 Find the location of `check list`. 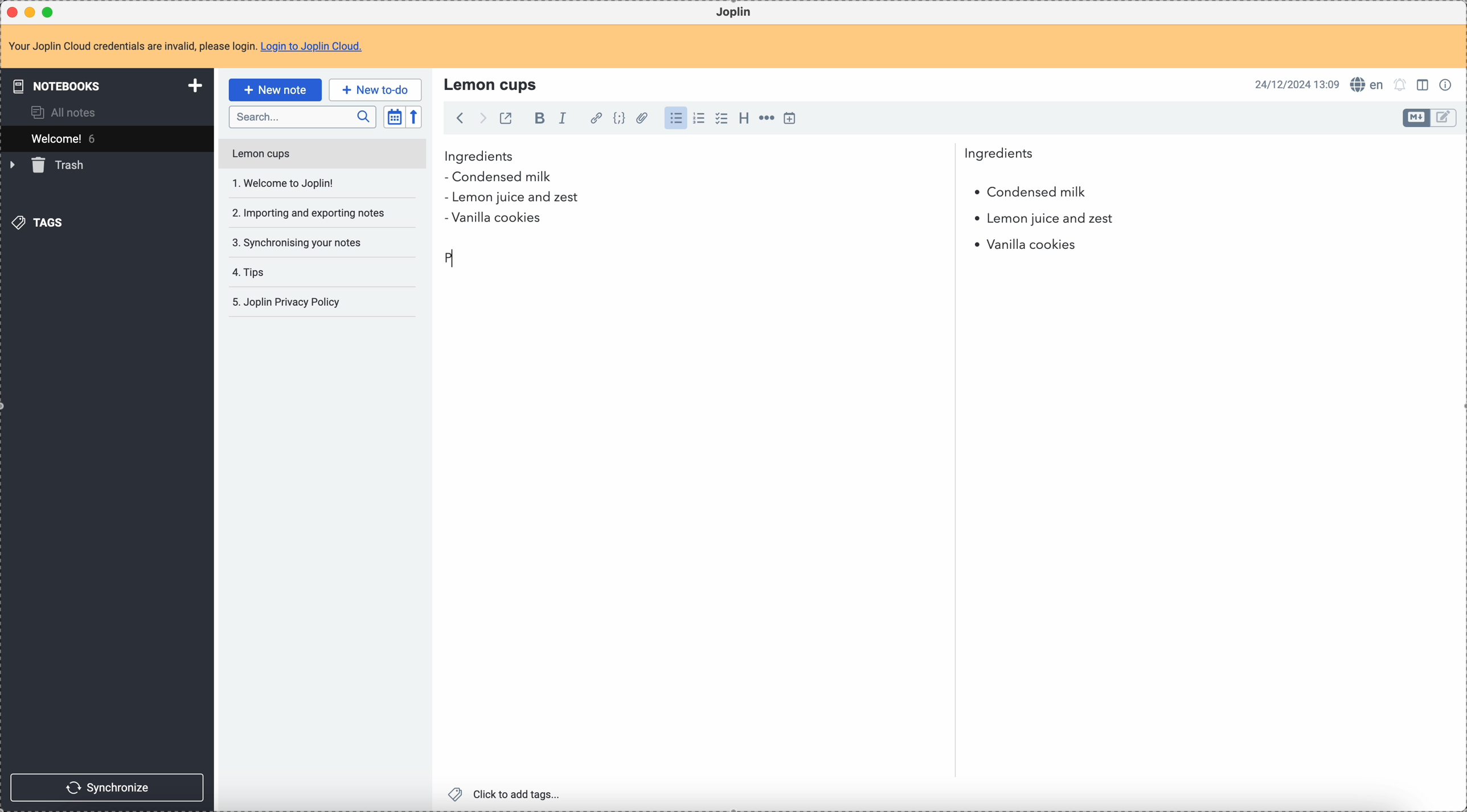

check list is located at coordinates (721, 118).